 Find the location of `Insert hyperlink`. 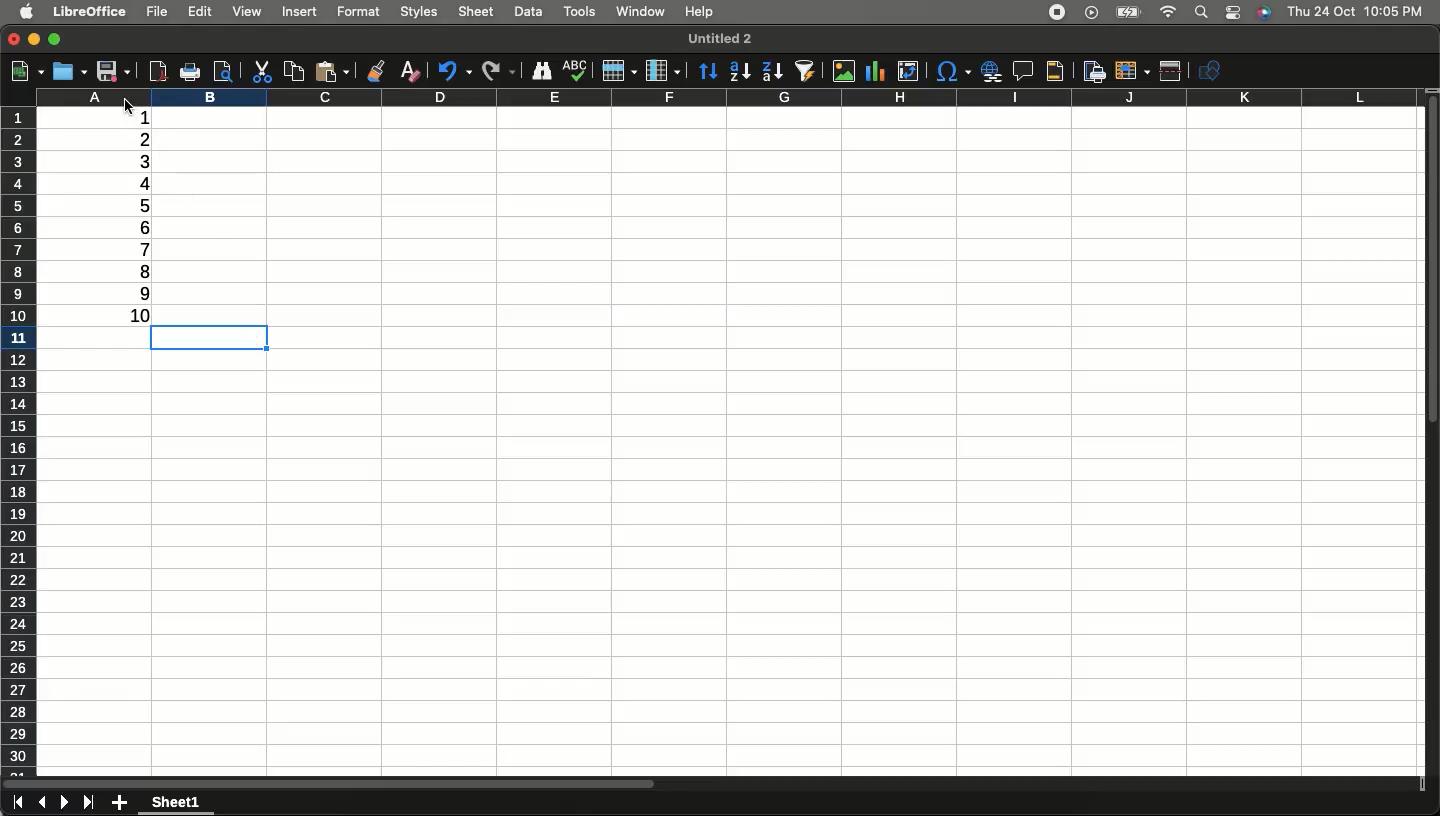

Insert hyperlink is located at coordinates (989, 71).